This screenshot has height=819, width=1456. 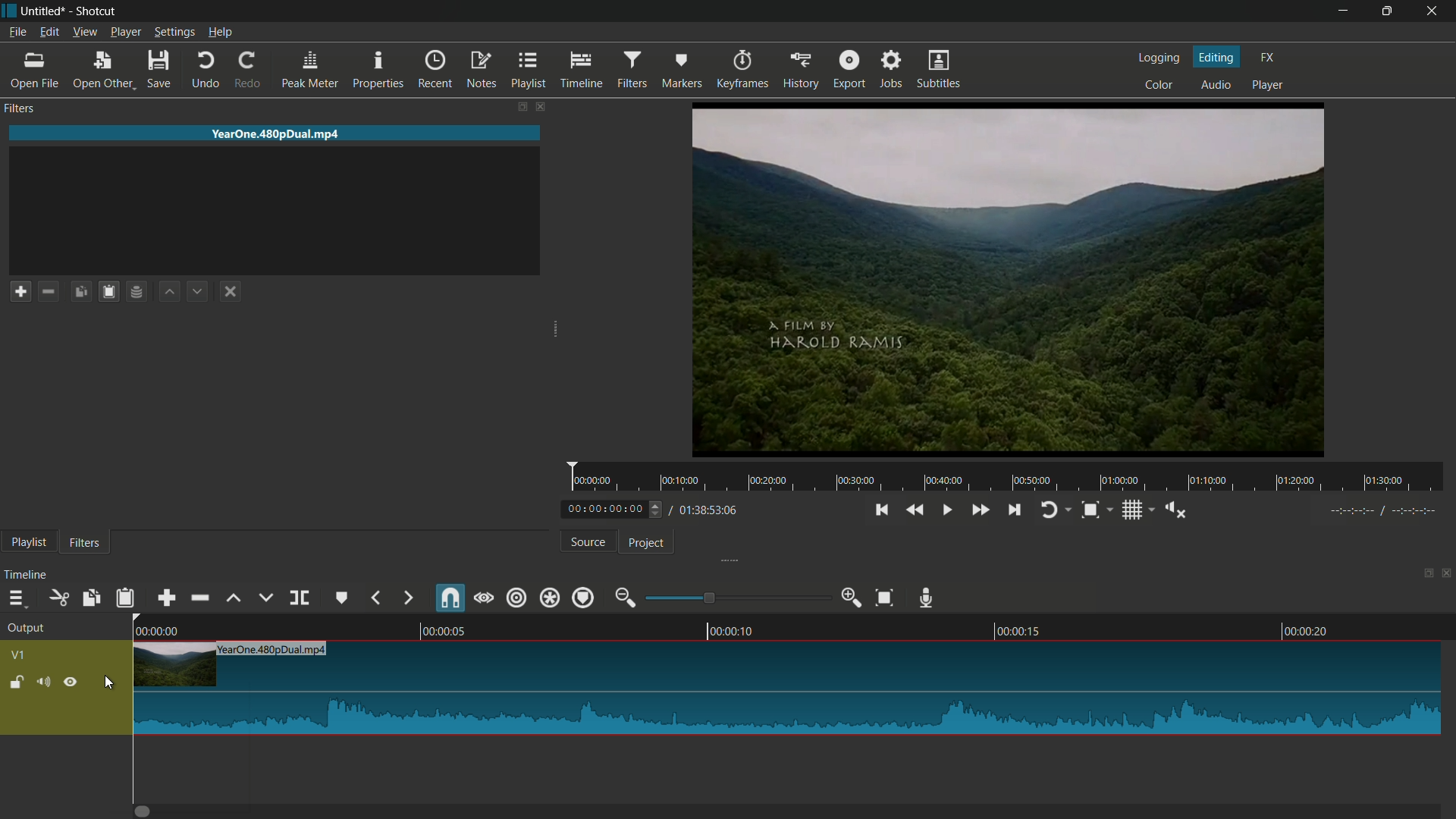 I want to click on markers, so click(x=680, y=71).